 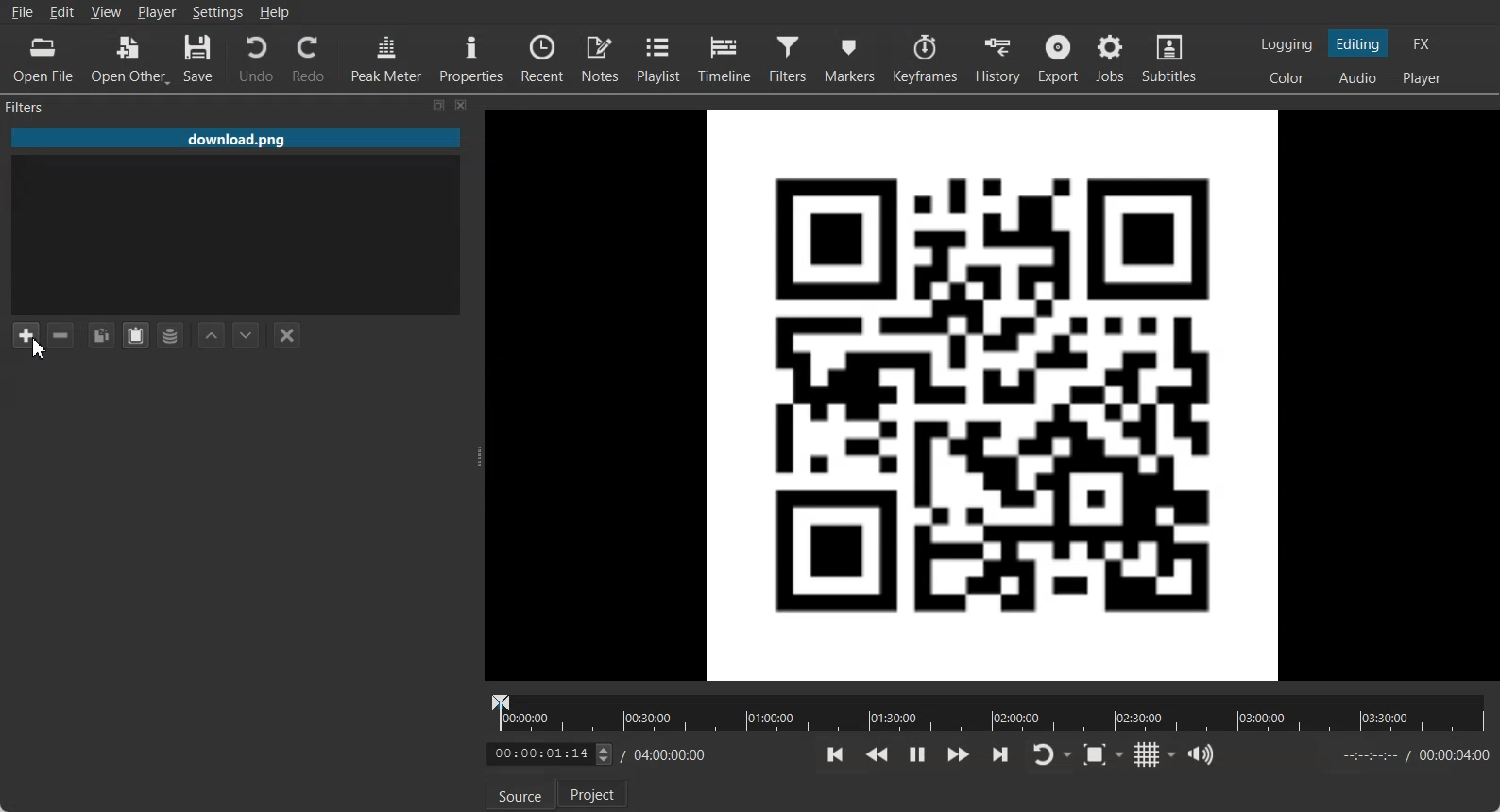 What do you see at coordinates (26, 334) in the screenshot?
I see `Add a filter` at bounding box center [26, 334].